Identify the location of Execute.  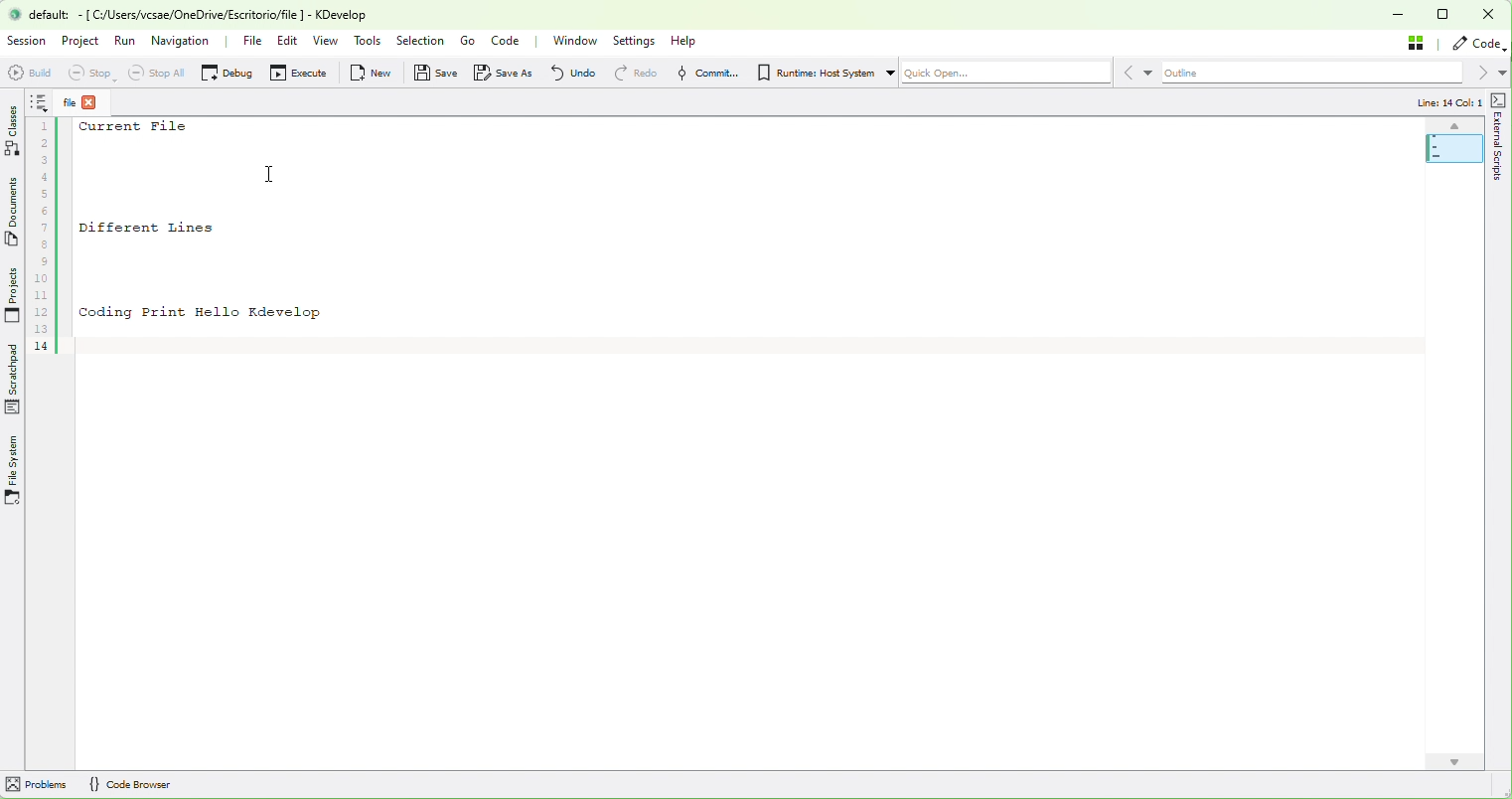
(294, 72).